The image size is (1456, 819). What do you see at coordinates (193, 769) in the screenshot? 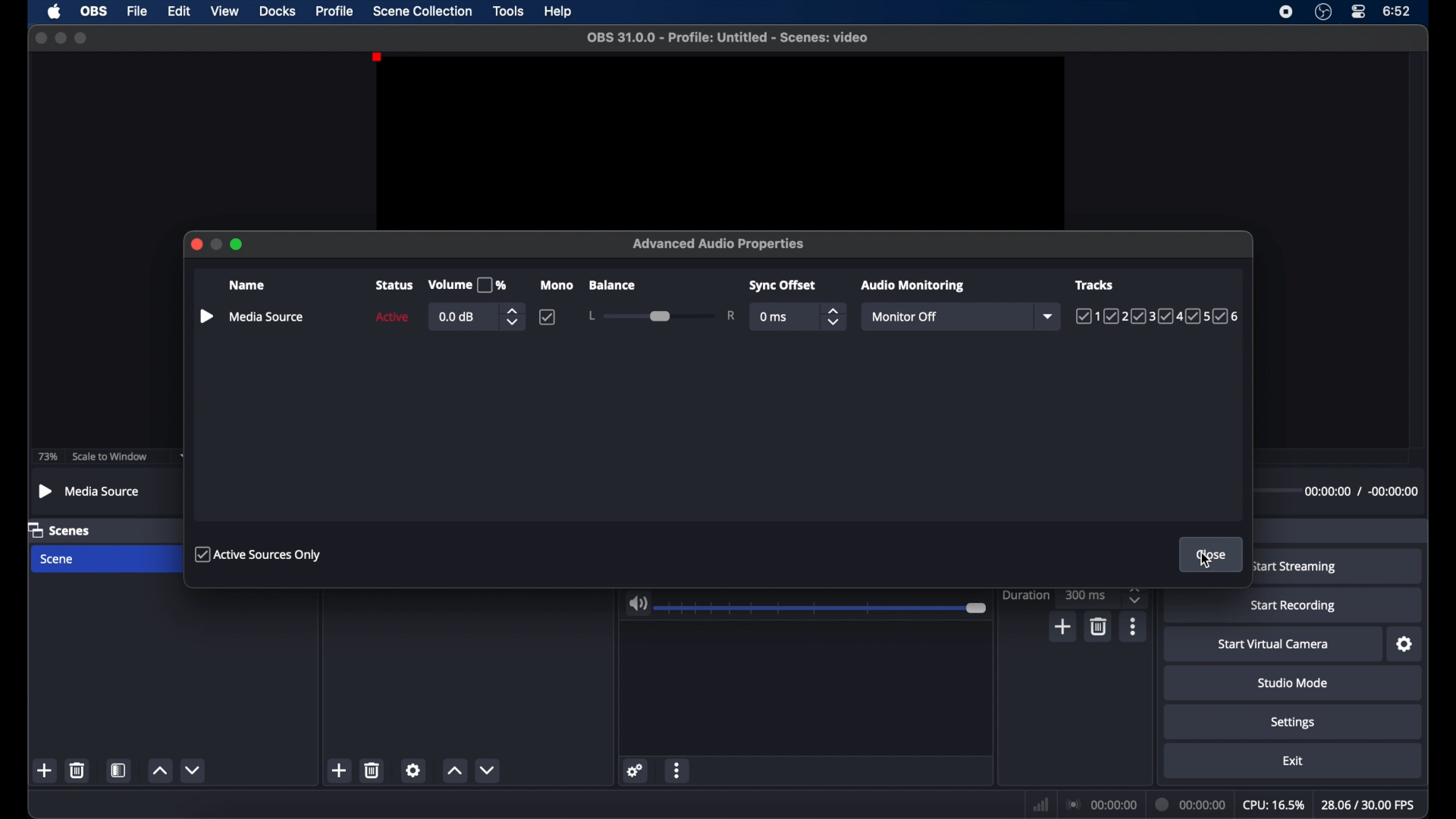
I see `decrement` at bounding box center [193, 769].